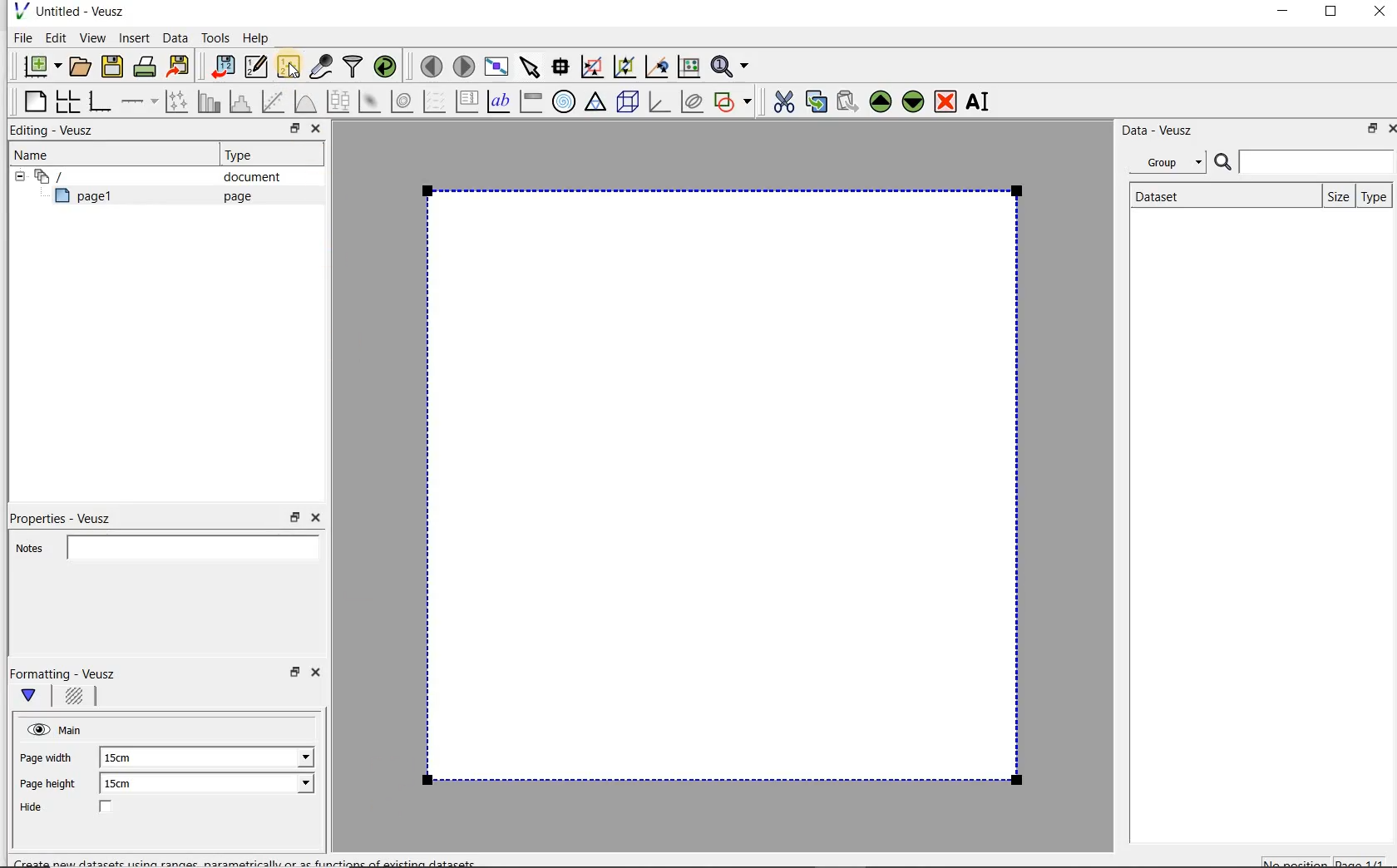  What do you see at coordinates (1368, 131) in the screenshot?
I see `restore down` at bounding box center [1368, 131].